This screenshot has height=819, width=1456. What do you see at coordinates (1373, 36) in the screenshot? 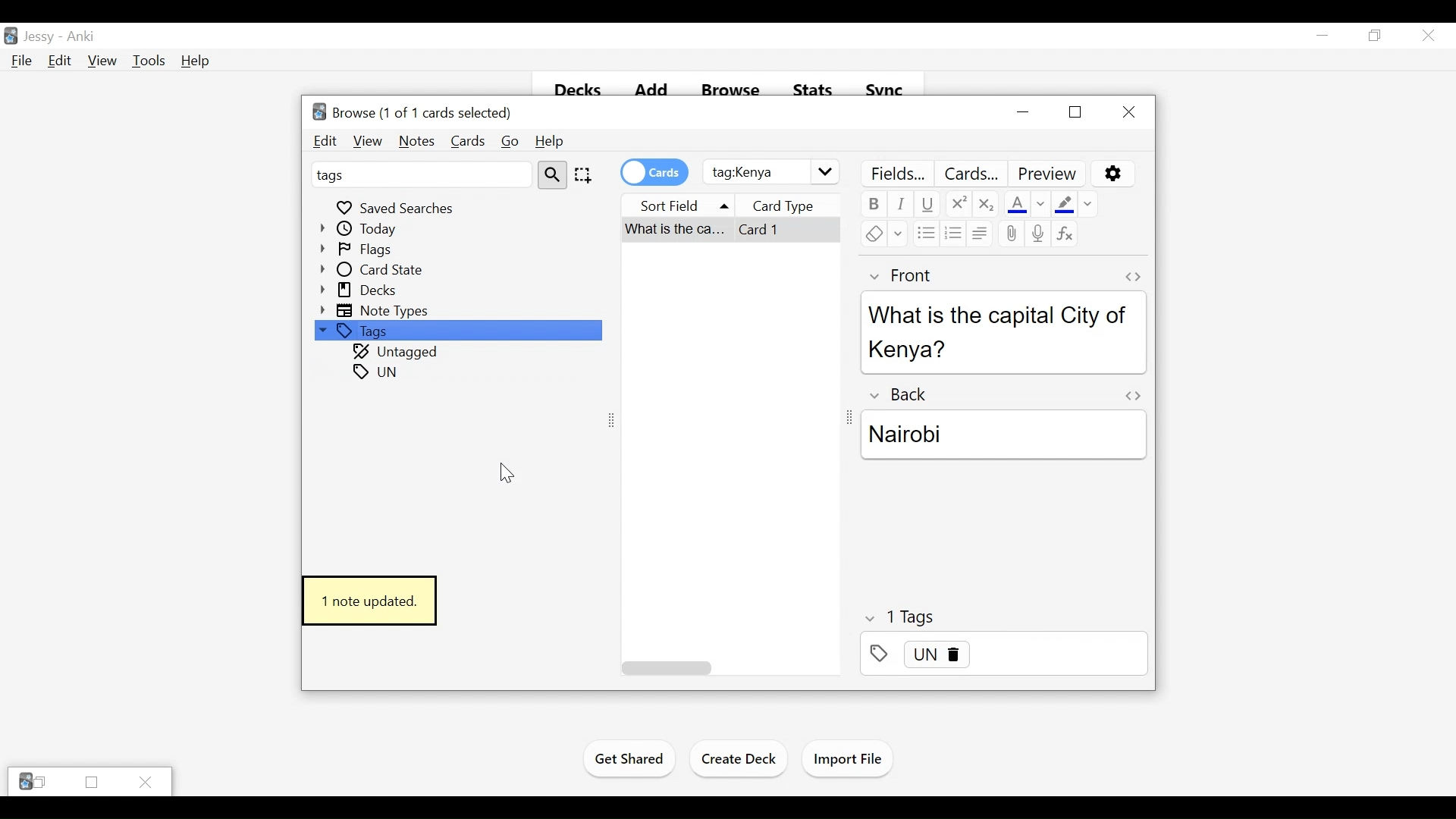
I see `Restore` at bounding box center [1373, 36].